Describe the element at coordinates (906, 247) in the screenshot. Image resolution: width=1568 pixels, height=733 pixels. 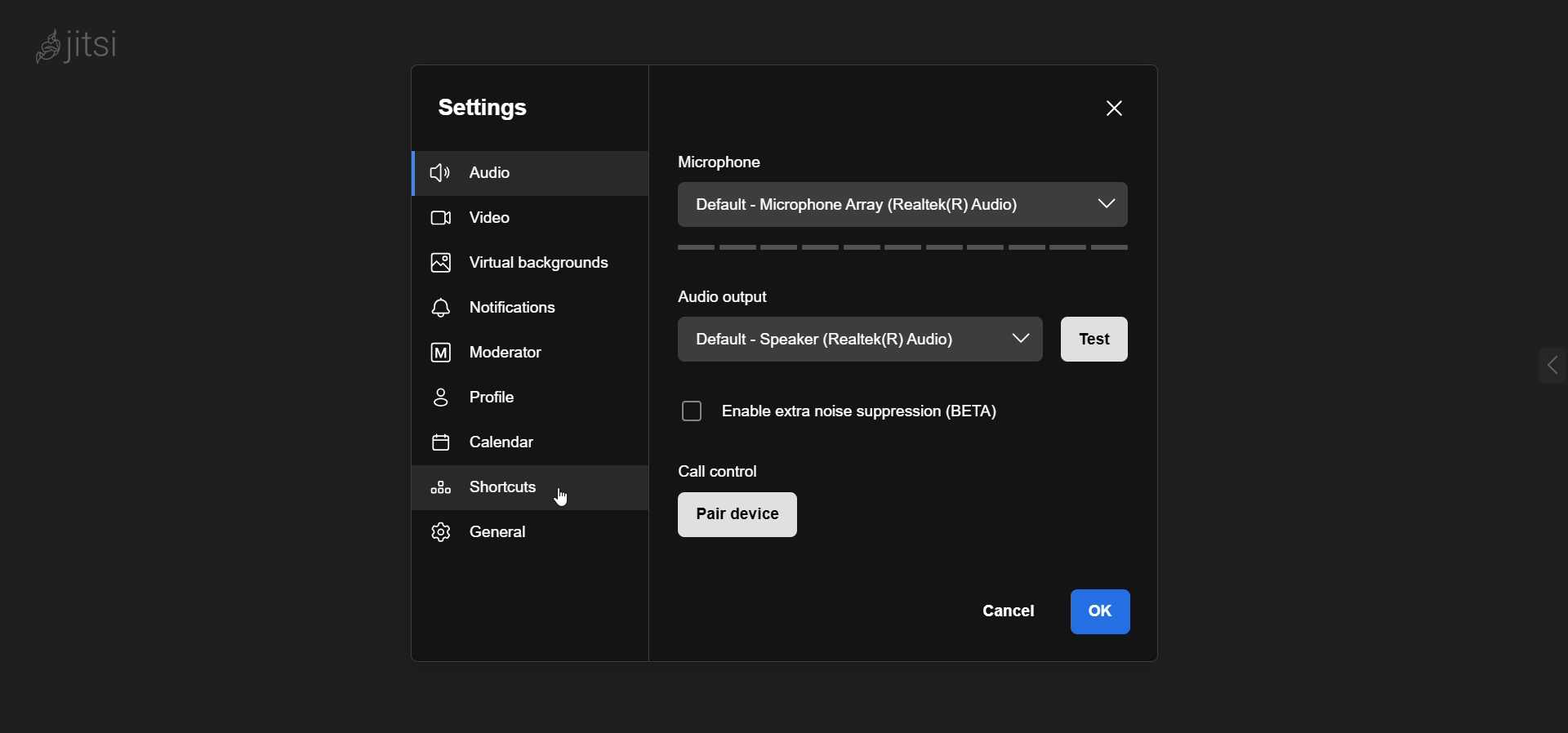
I see `volume` at that location.